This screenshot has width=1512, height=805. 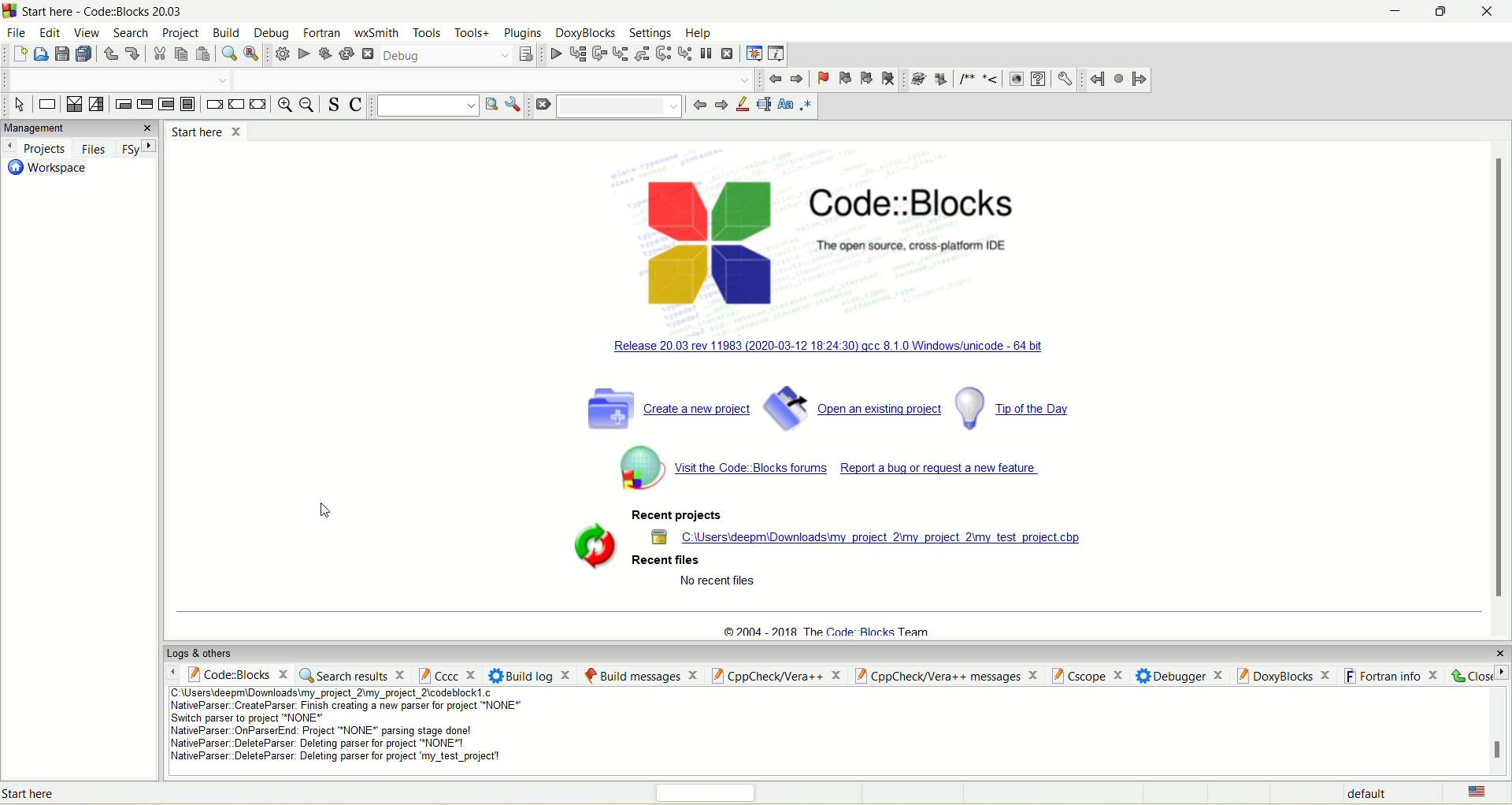 I want to click on run search, so click(x=490, y=103).